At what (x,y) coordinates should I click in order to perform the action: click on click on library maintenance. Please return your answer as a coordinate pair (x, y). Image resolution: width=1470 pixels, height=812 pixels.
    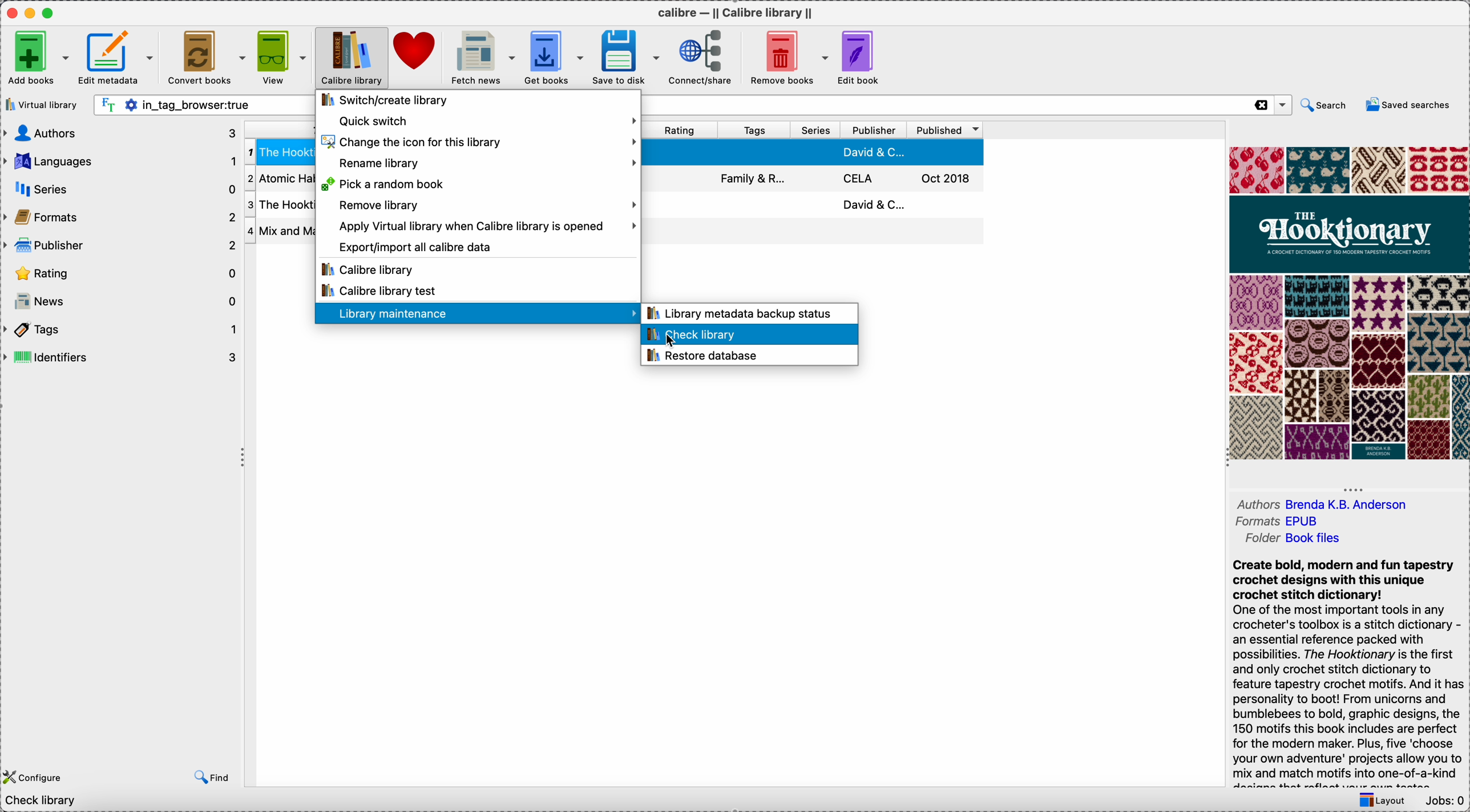
    Looking at the image, I should click on (476, 314).